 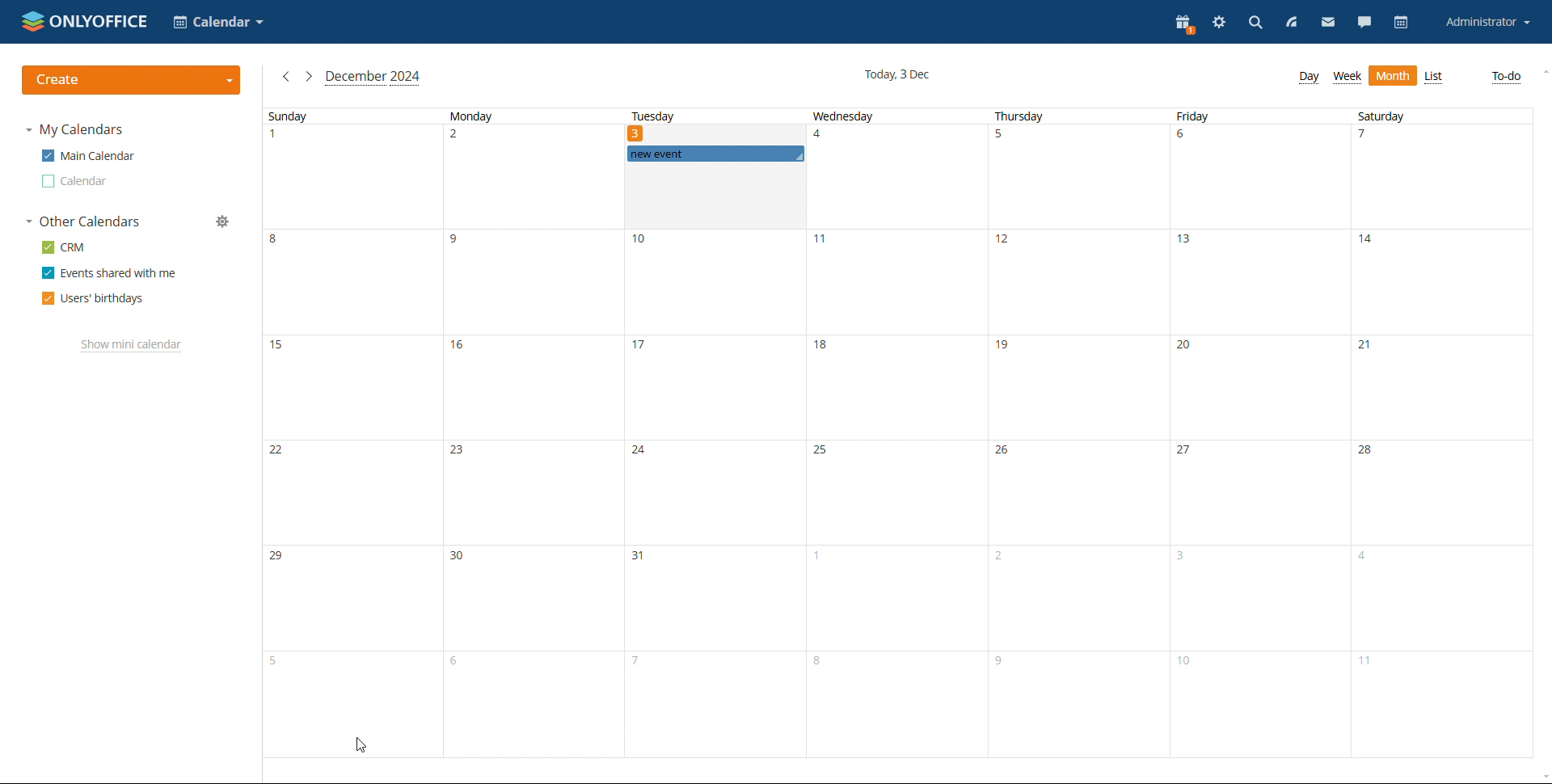 I want to click on events shared with me, so click(x=108, y=272).